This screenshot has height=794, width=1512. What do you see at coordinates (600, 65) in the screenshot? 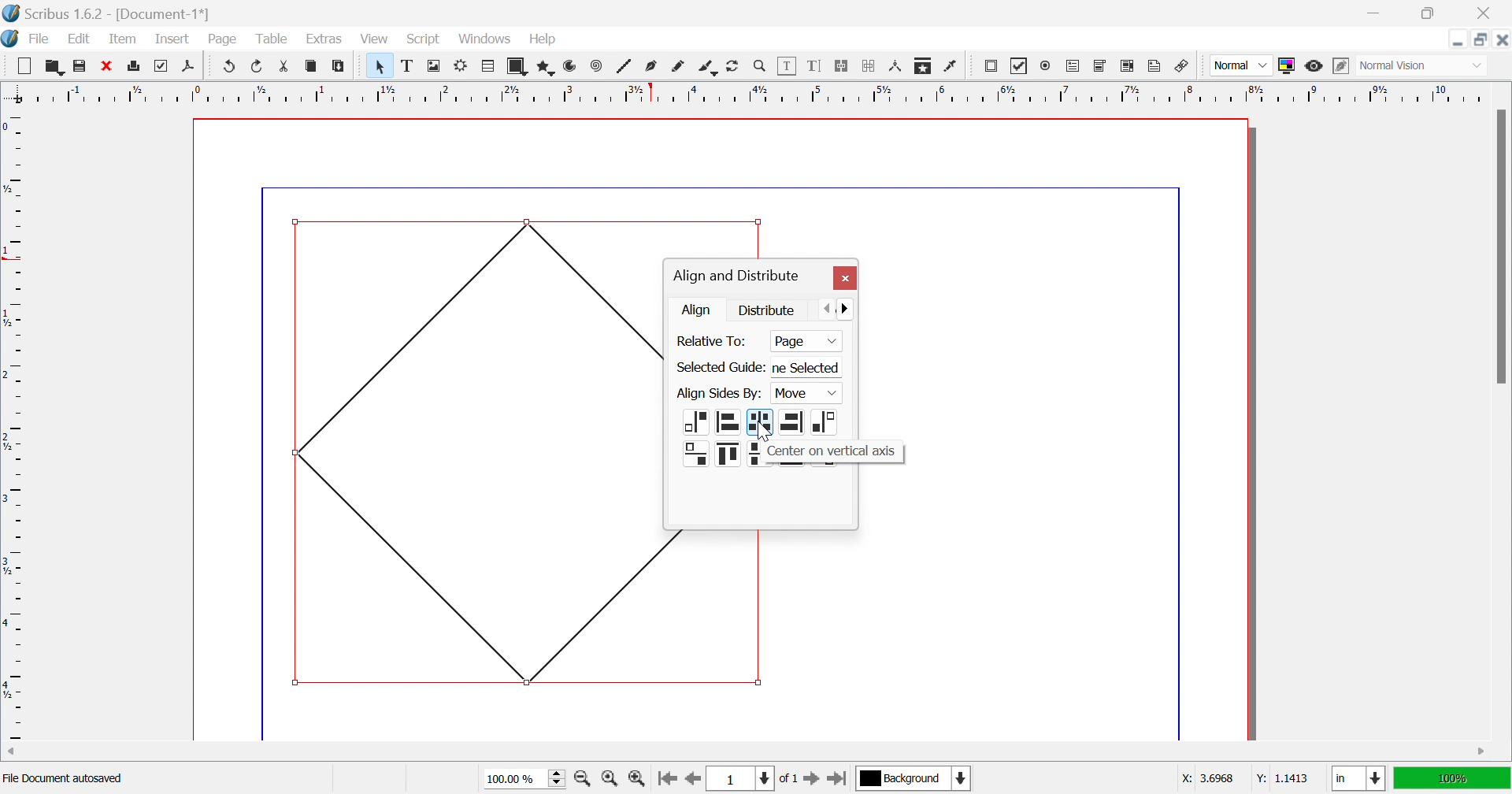
I see `Spiral` at bounding box center [600, 65].